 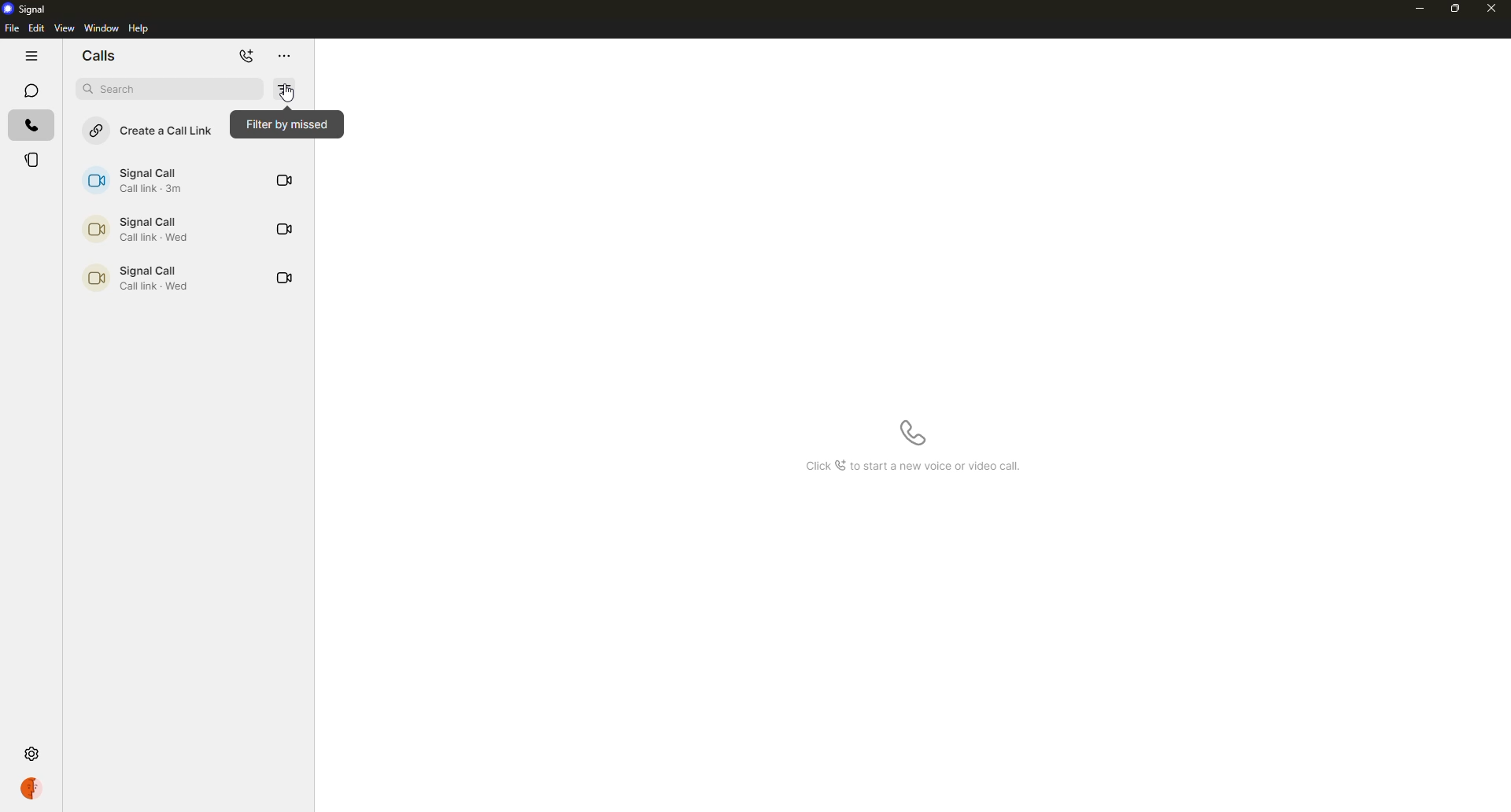 What do you see at coordinates (139, 228) in the screenshot?
I see `` at bounding box center [139, 228].